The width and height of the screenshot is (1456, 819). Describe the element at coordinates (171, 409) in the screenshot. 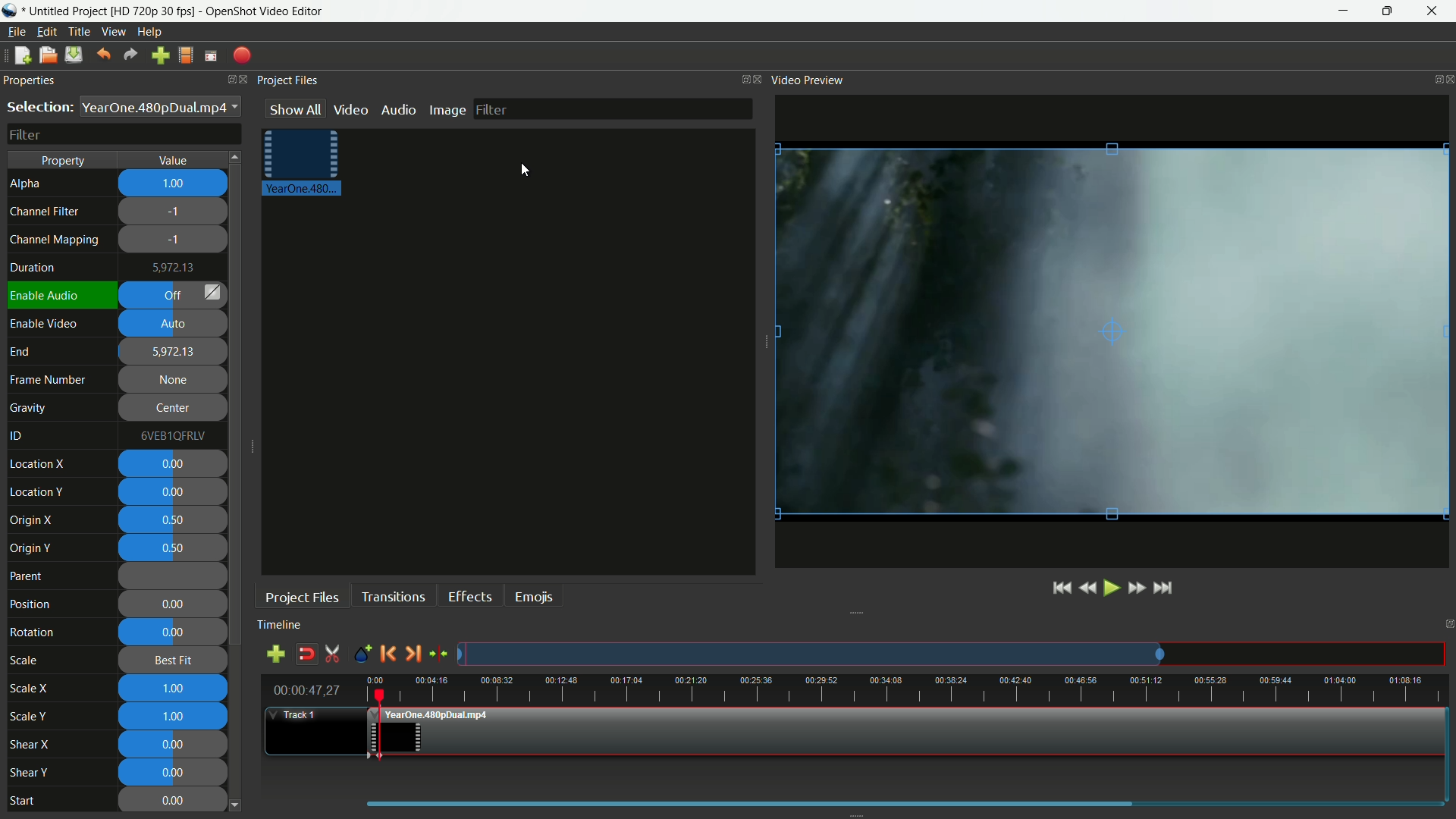

I see `center` at that location.